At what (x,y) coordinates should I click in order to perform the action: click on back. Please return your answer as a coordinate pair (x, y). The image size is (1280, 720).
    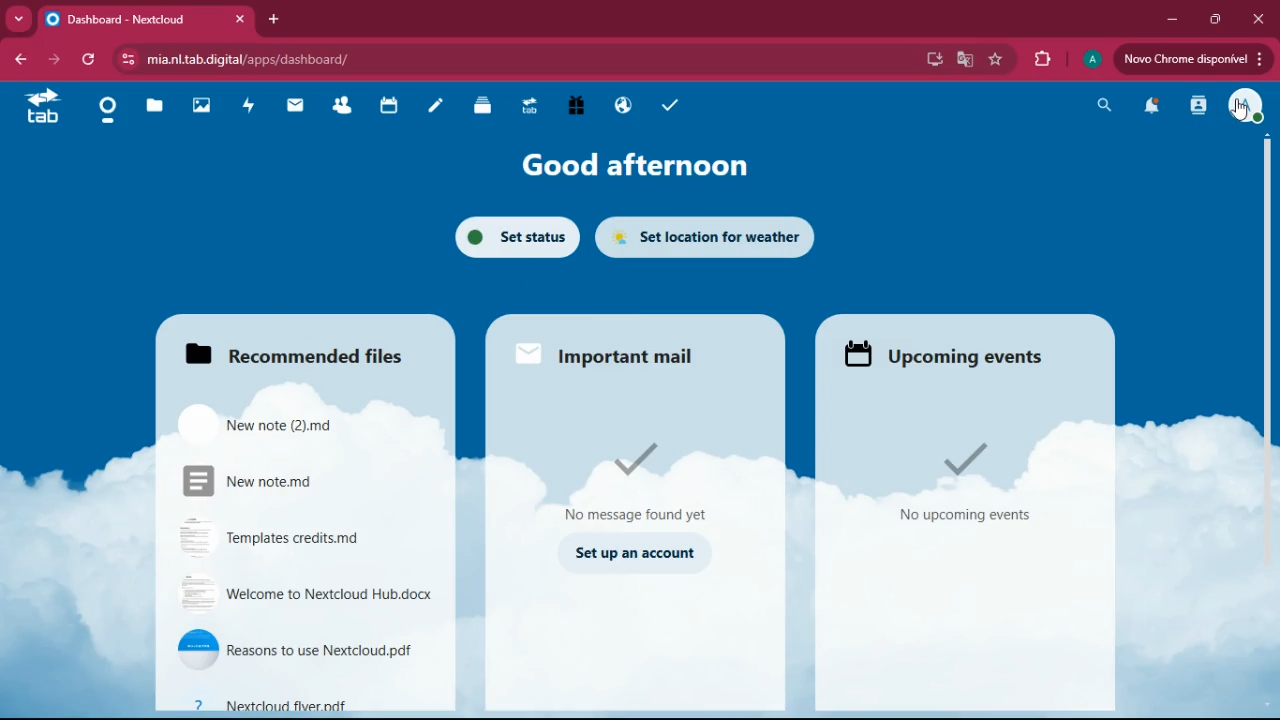
    Looking at the image, I should click on (18, 60).